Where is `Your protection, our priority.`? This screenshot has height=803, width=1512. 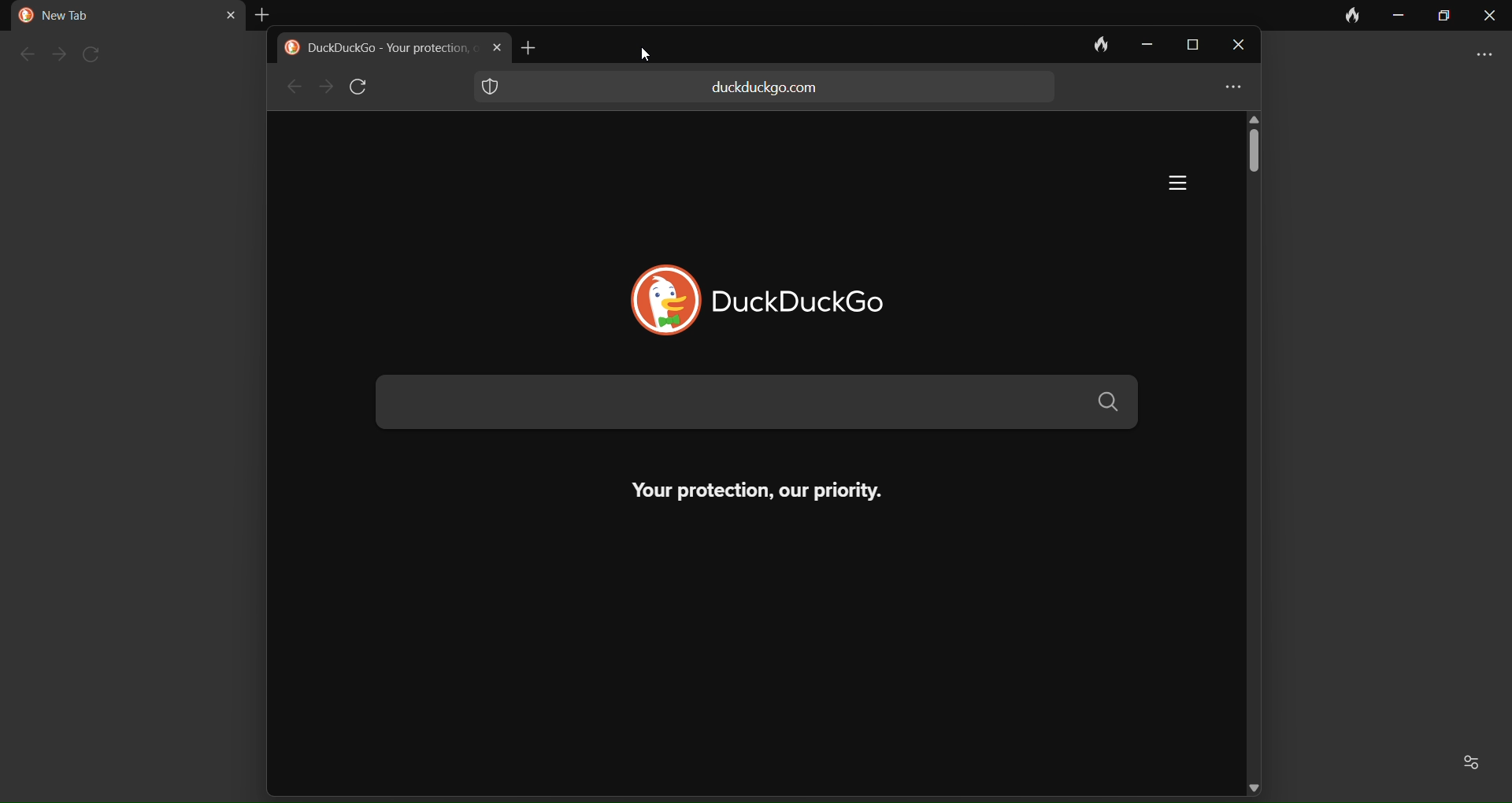 Your protection, our priority. is located at coordinates (735, 490).